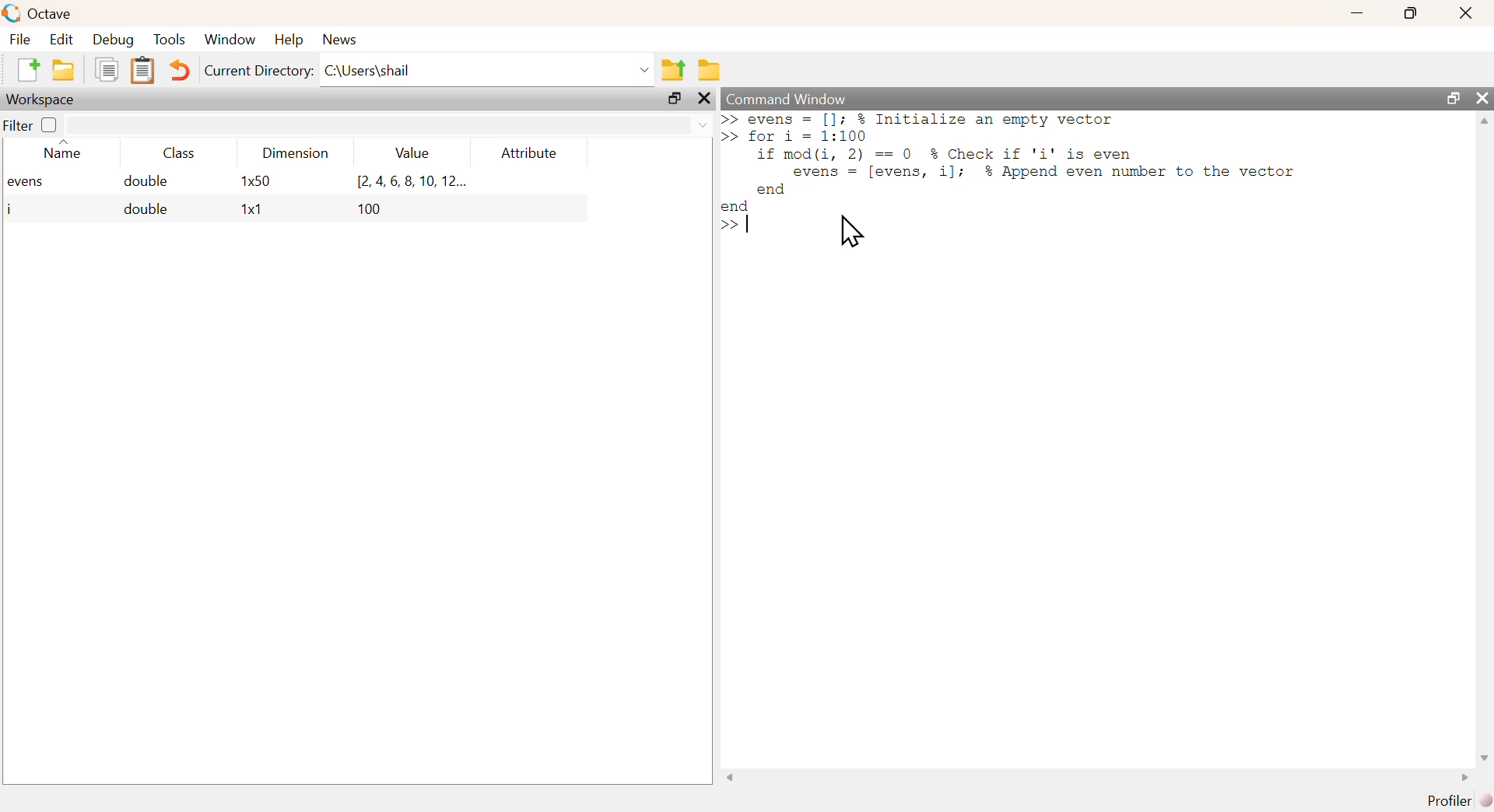  Describe the element at coordinates (1453, 100) in the screenshot. I see `maximize` at that location.